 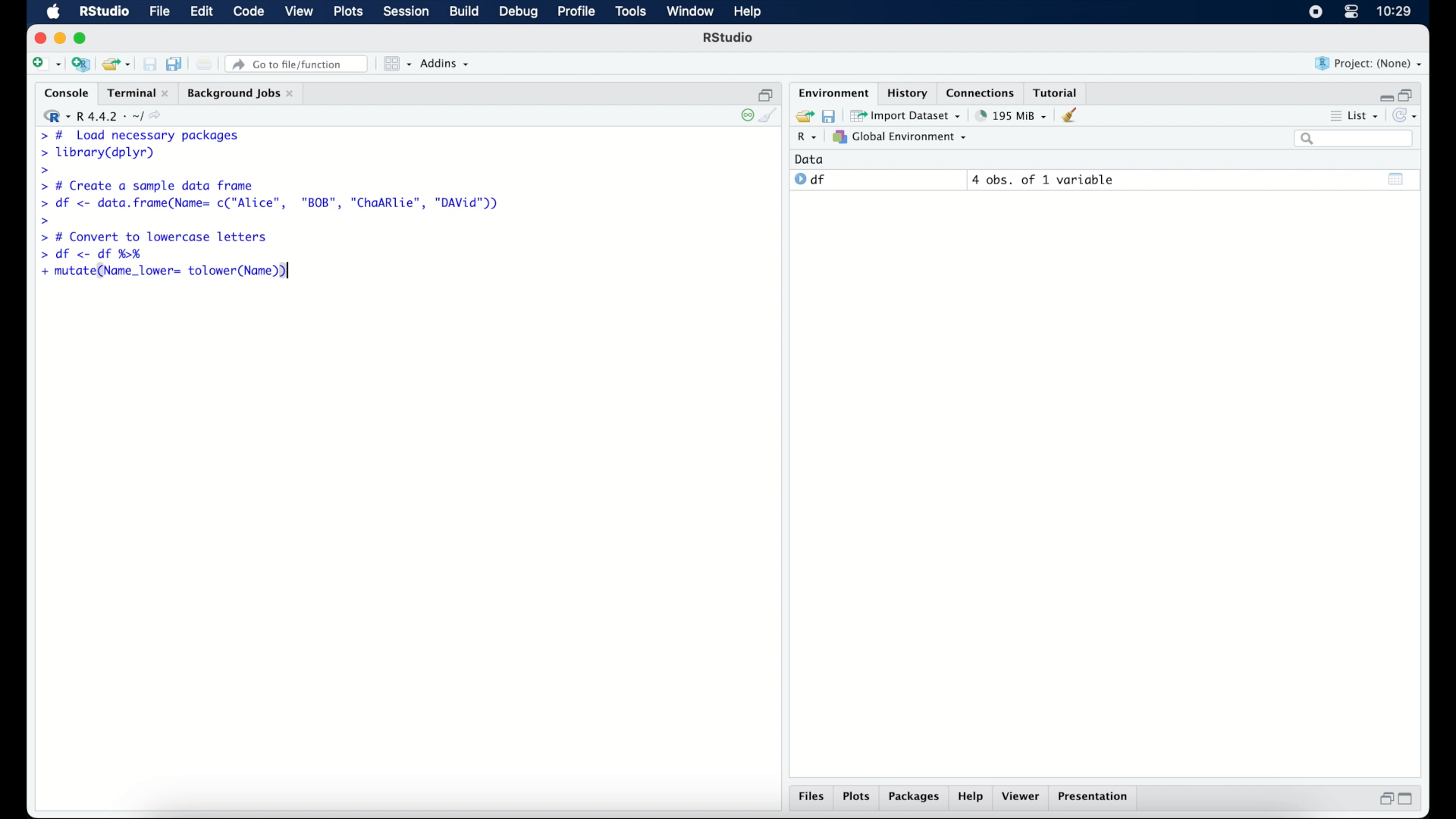 What do you see at coordinates (138, 134) in the screenshot?
I see `> # Load necessary packages|` at bounding box center [138, 134].